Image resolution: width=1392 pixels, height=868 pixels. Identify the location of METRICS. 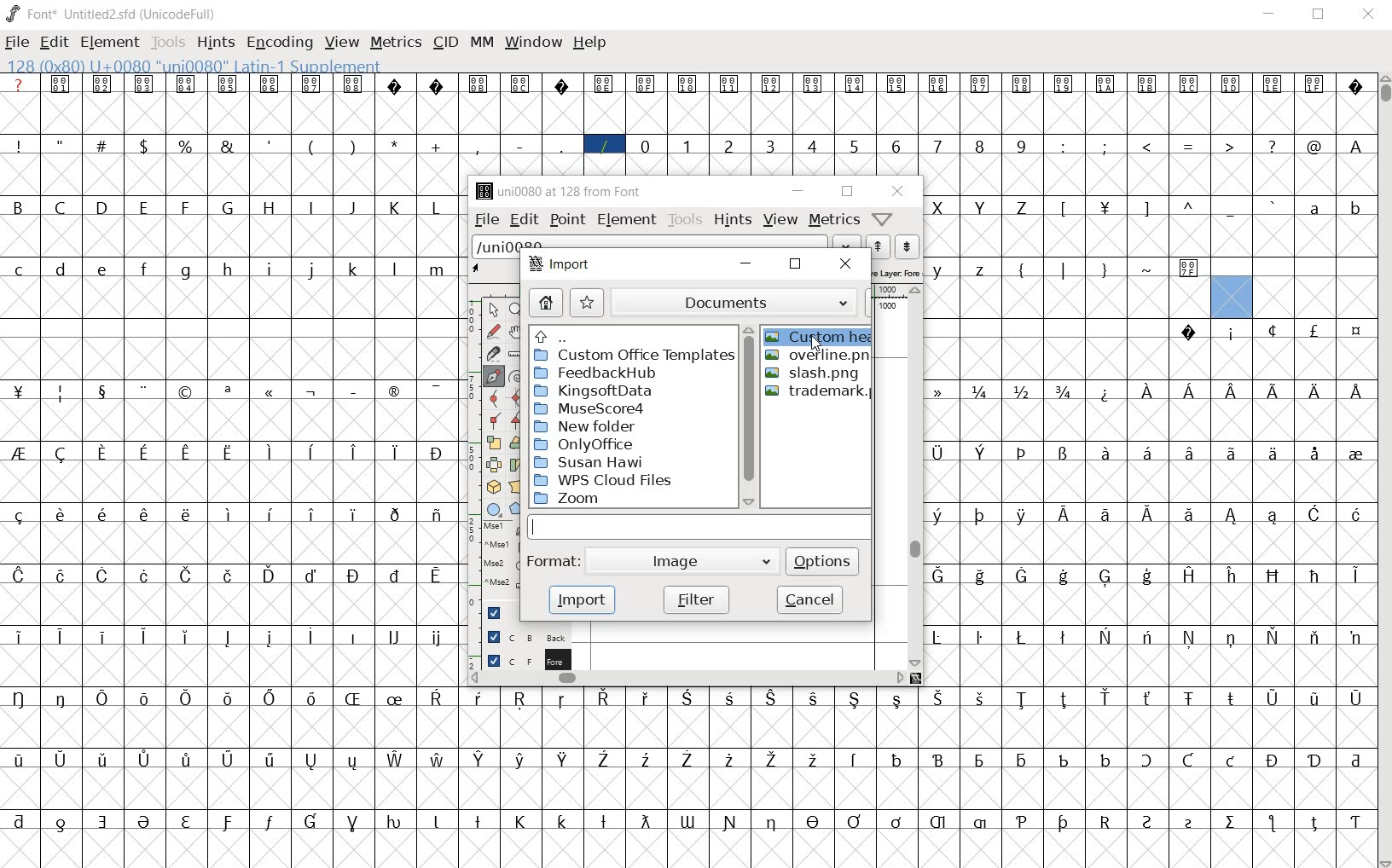
(396, 41).